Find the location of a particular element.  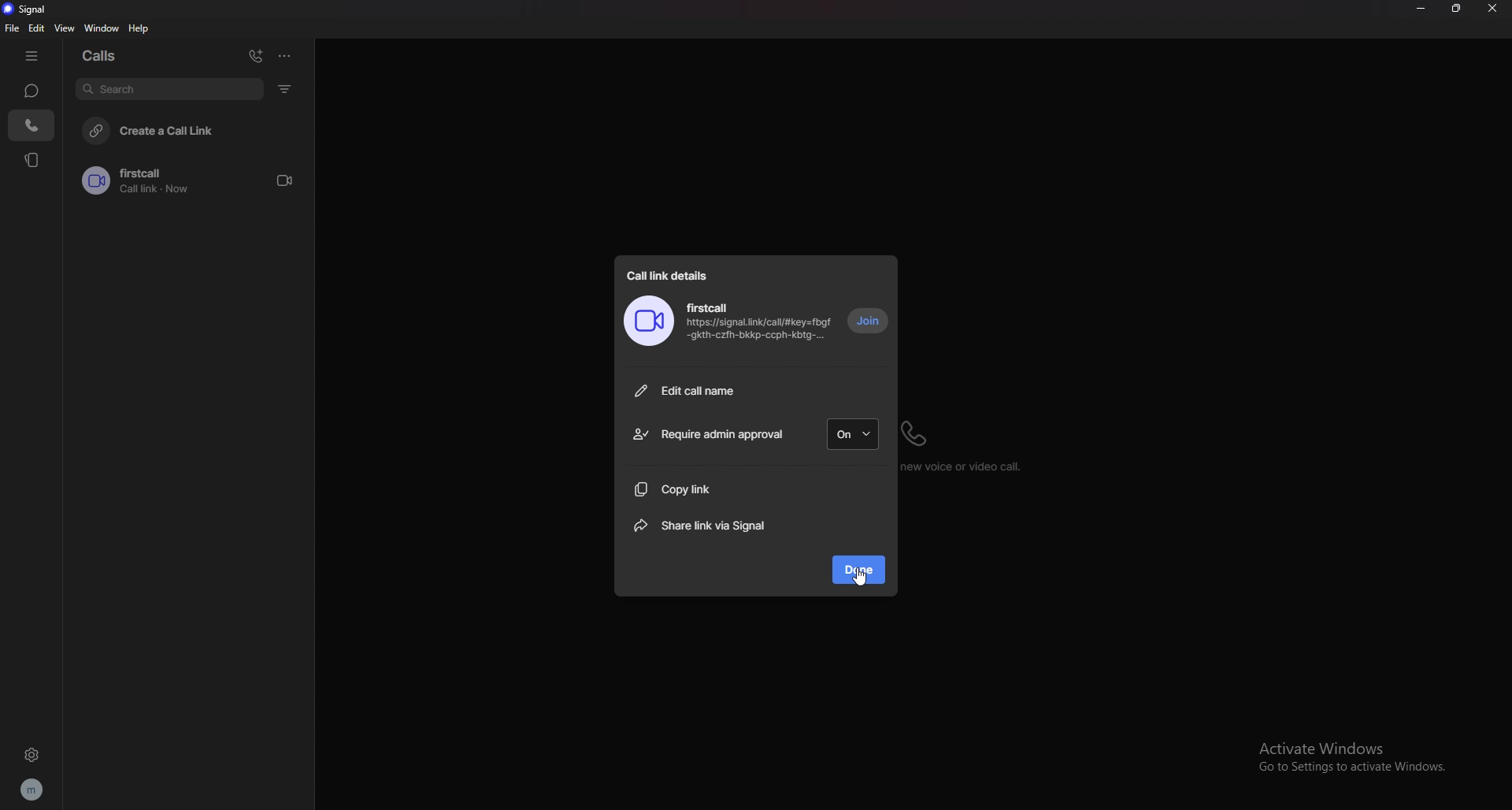

create a call link is located at coordinates (194, 129).